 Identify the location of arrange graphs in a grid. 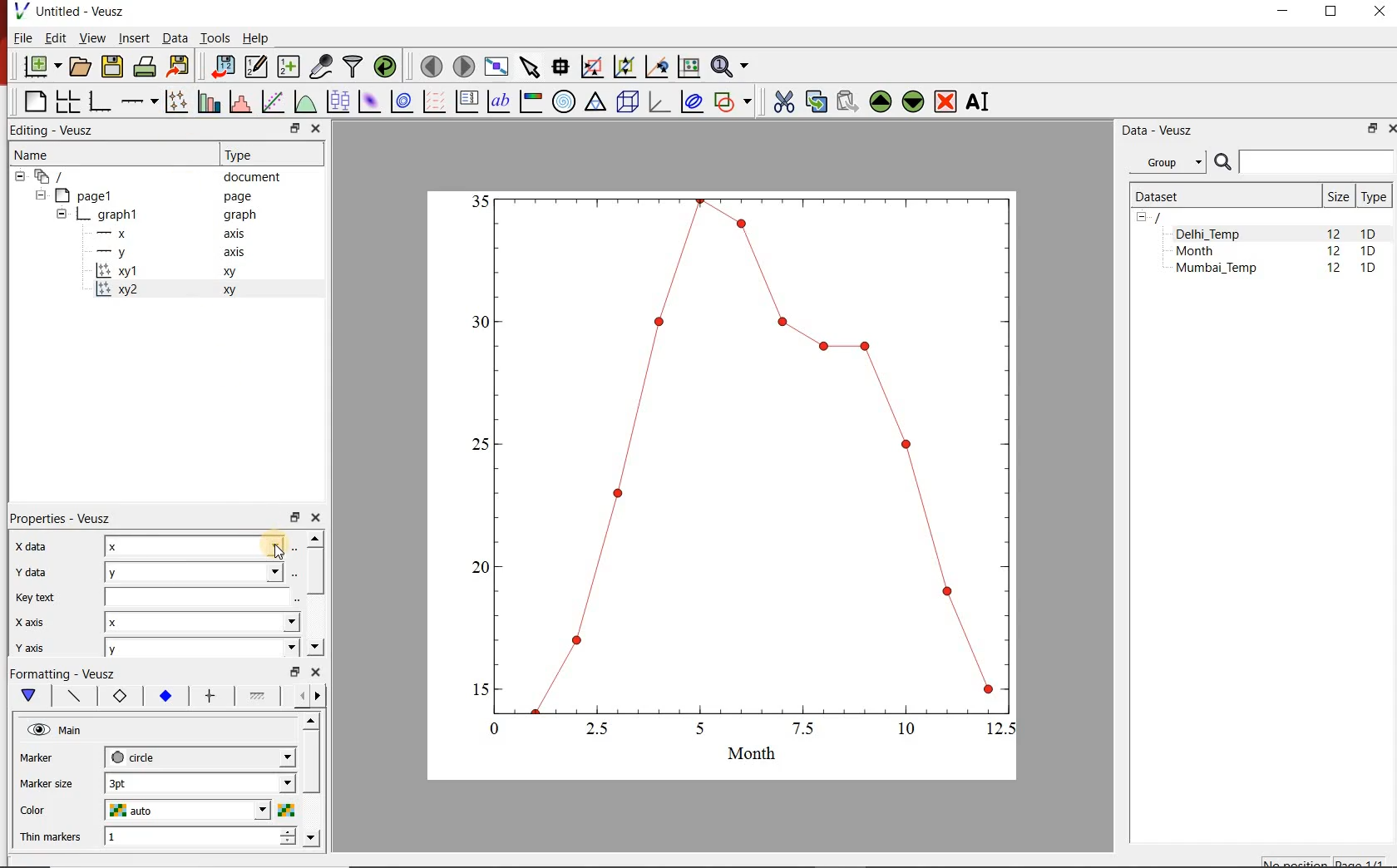
(67, 101).